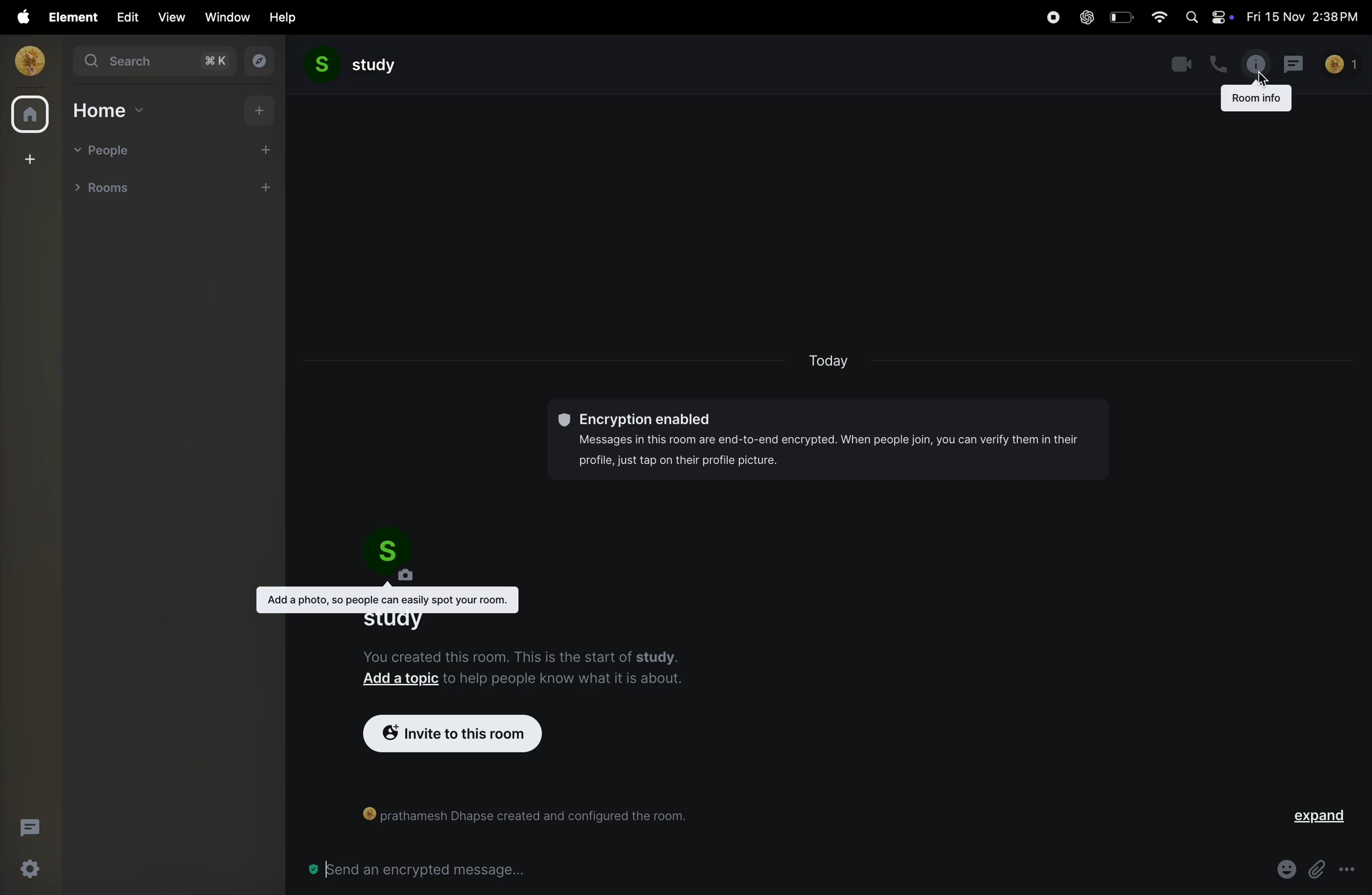 The image size is (1372, 895). Describe the element at coordinates (117, 108) in the screenshot. I see `home` at that location.